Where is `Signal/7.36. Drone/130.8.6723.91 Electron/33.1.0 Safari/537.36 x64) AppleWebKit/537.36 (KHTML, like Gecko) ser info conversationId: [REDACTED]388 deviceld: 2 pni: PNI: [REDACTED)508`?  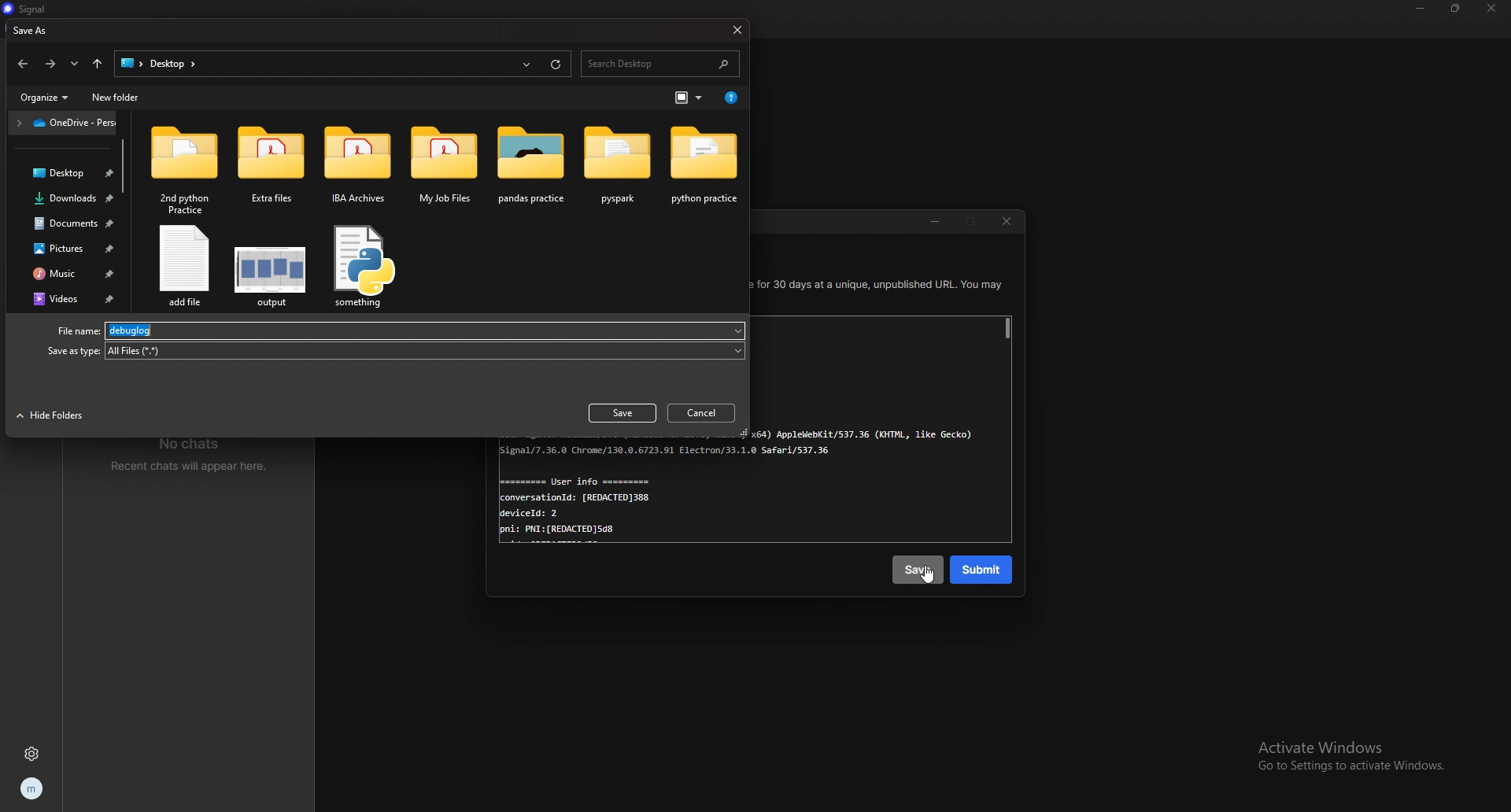 Signal/7.36. Drone/130.8.6723.91 Electron/33.1.0 Safari/537.36 x64) AppleWebKit/537.36 (KHTML, like Gecko) ser info conversationId: [REDACTED]388 deviceld: 2 pni: PNI: [REDACTED)508 is located at coordinates (717, 494).